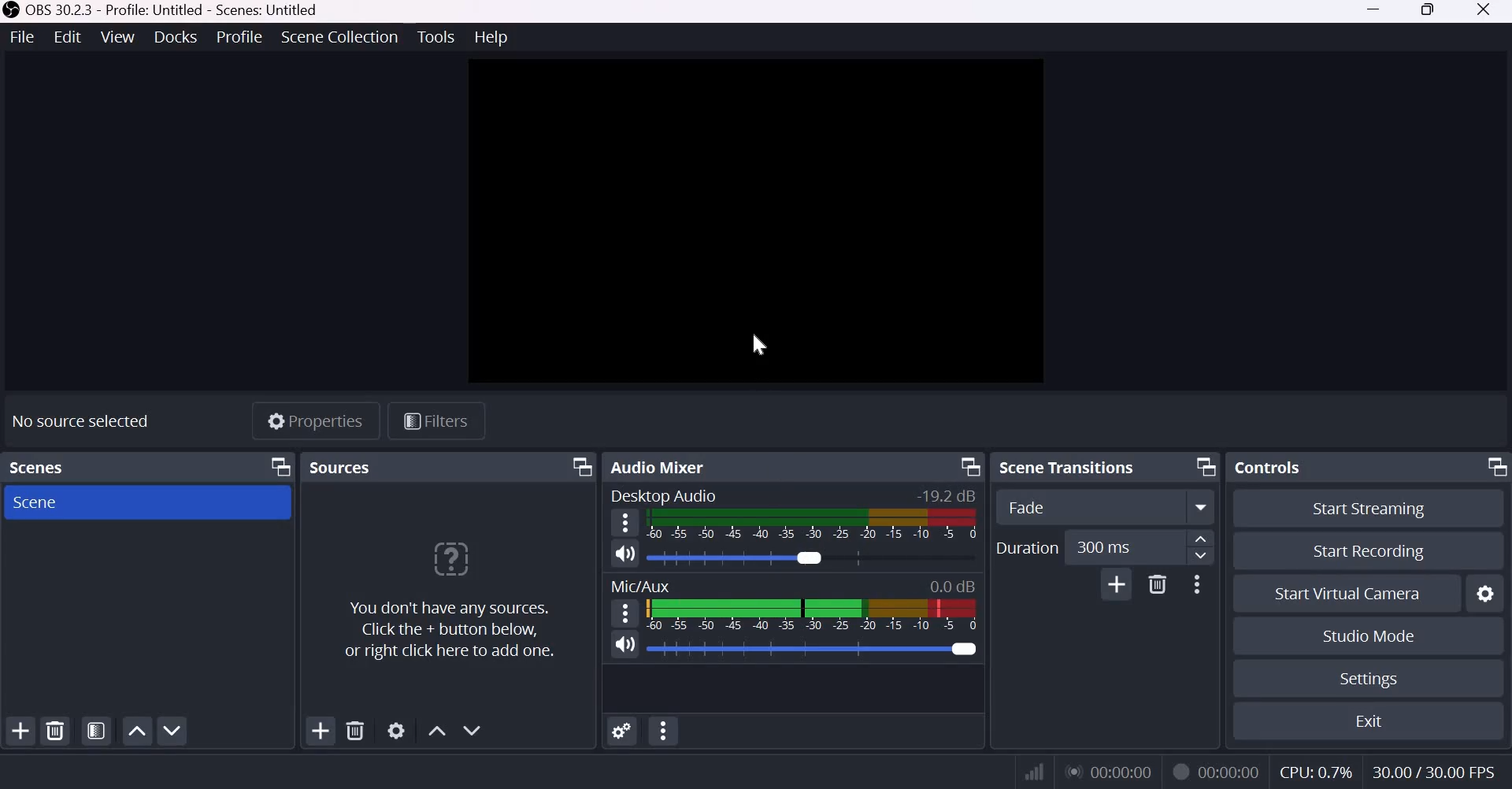 The image size is (1512, 789). Describe the element at coordinates (1068, 468) in the screenshot. I see `Scene transitions` at that location.